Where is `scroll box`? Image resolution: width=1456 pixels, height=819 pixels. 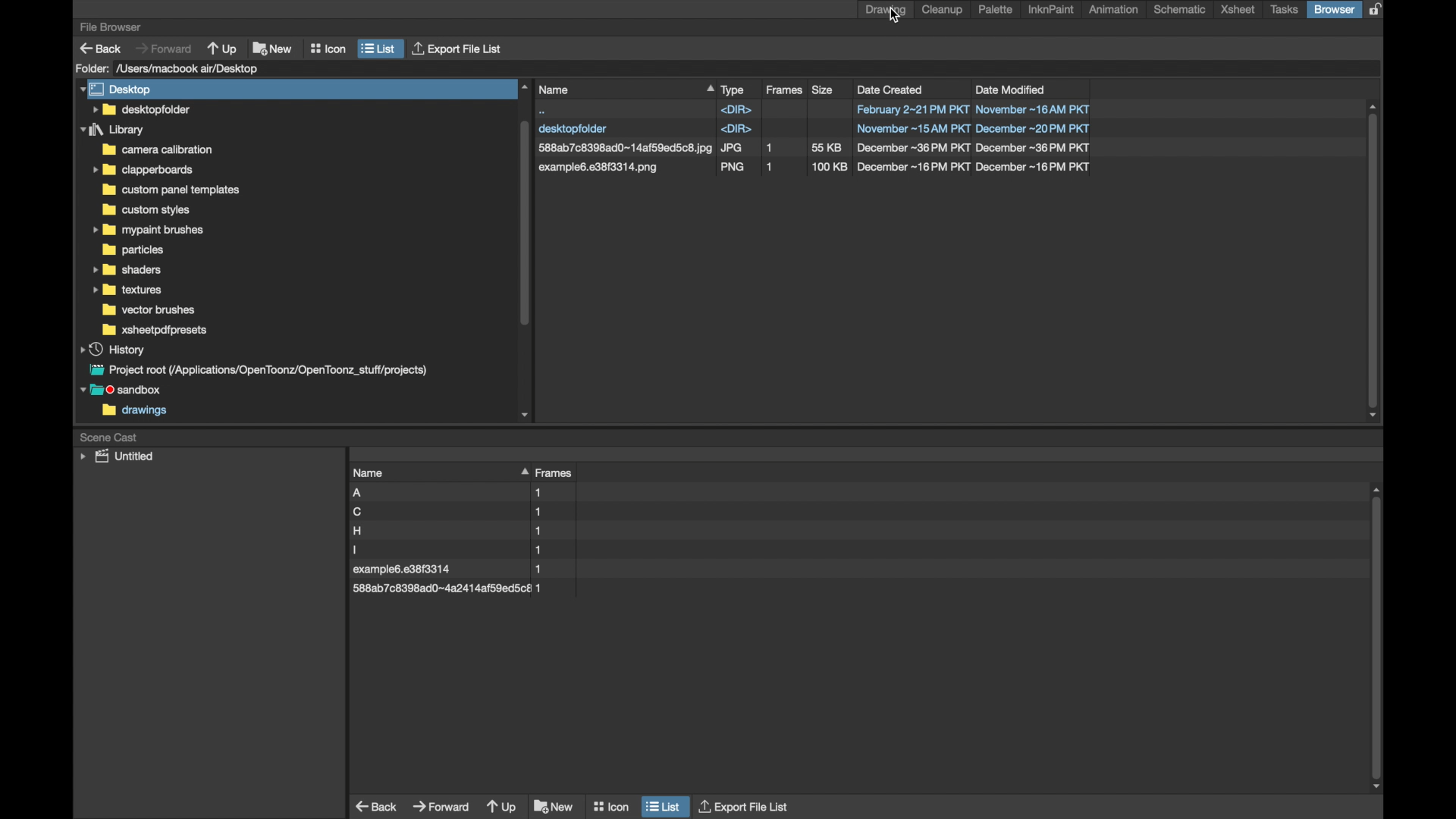 scroll box is located at coordinates (1379, 639).